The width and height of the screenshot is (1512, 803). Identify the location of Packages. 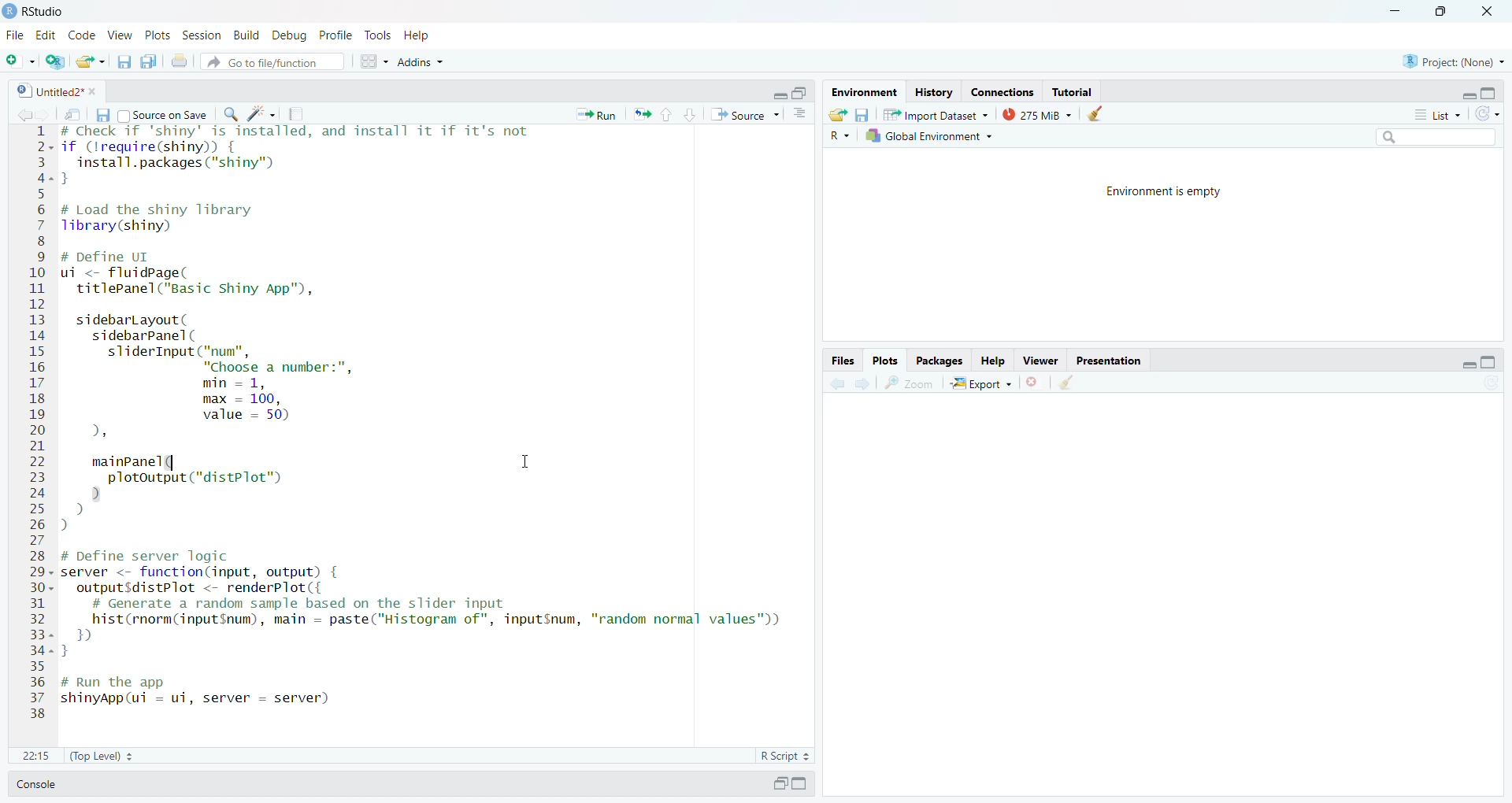
(939, 361).